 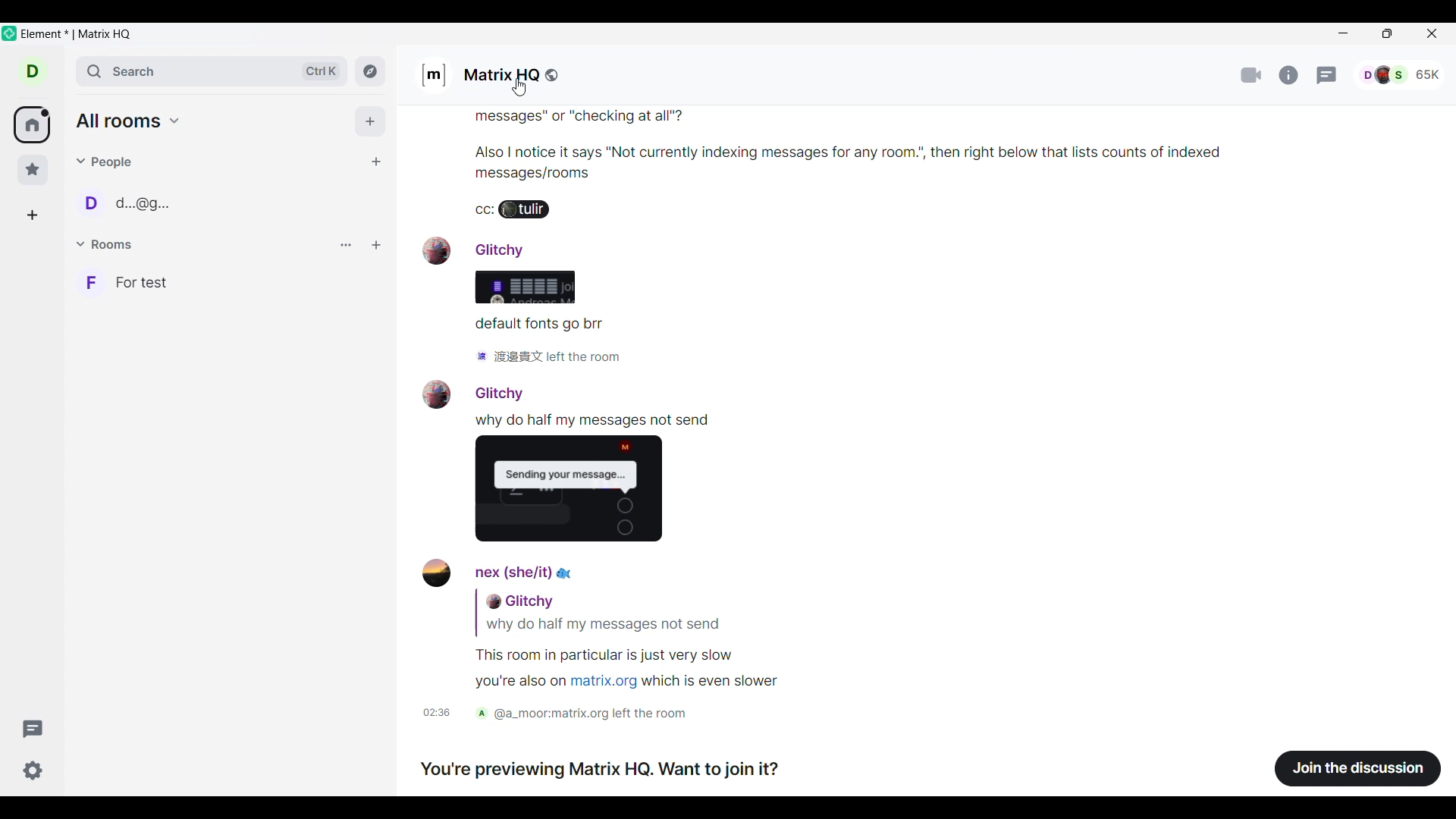 What do you see at coordinates (32, 215) in the screenshot?
I see `Create a space` at bounding box center [32, 215].